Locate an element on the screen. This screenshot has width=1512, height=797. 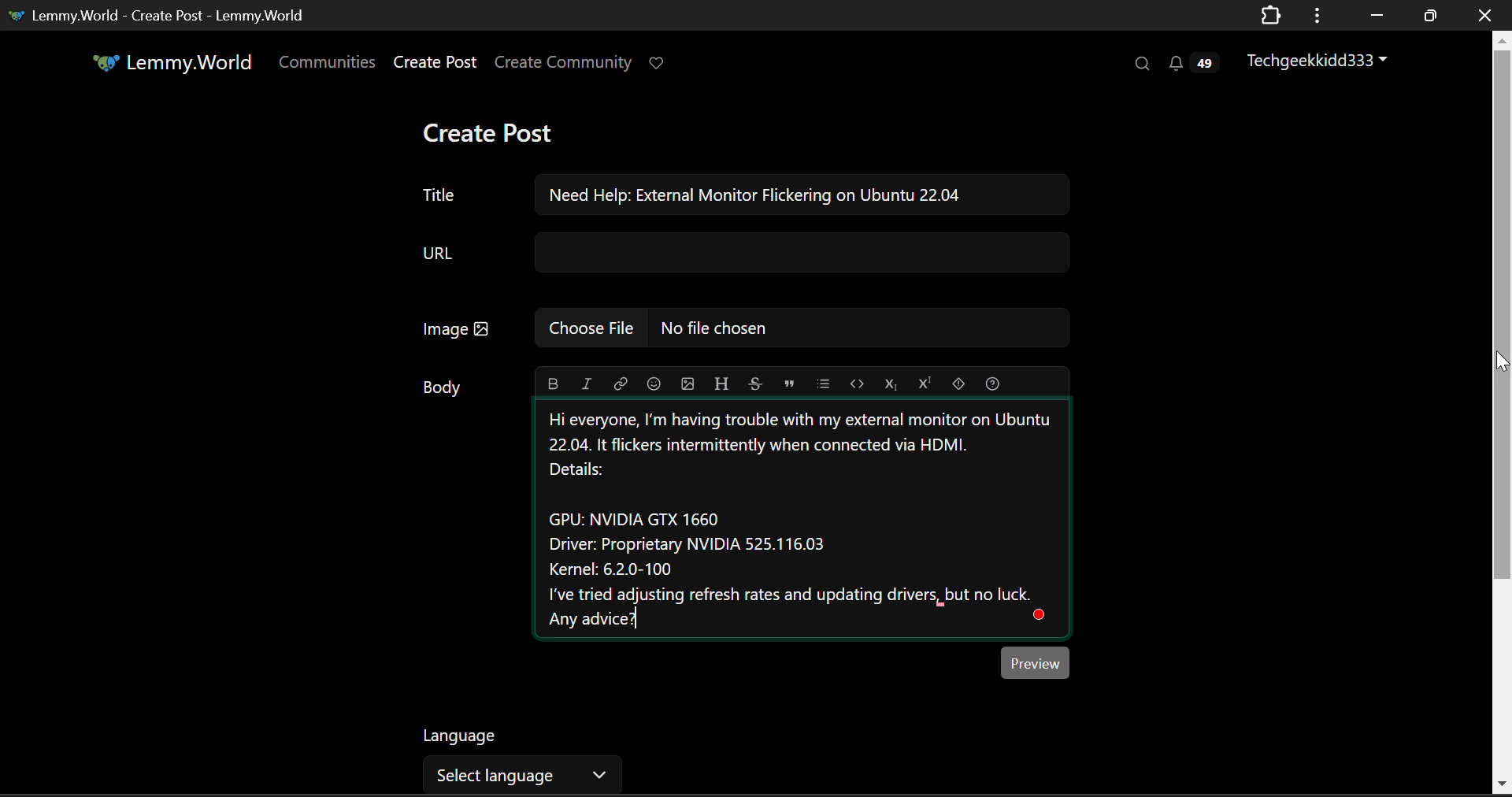
Notifications is located at coordinates (1197, 61).